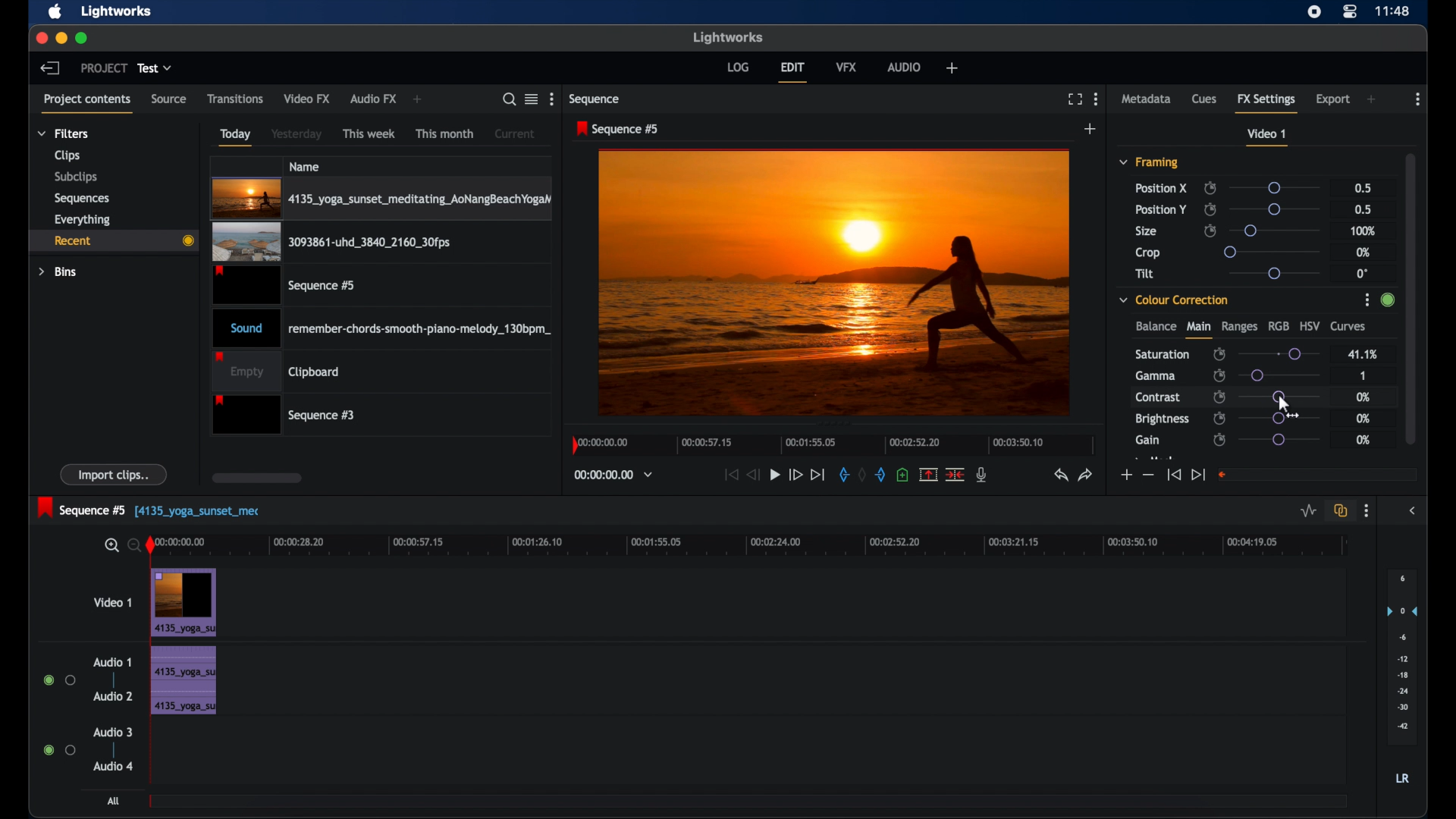  Describe the element at coordinates (1361, 187) in the screenshot. I see `0.5` at that location.